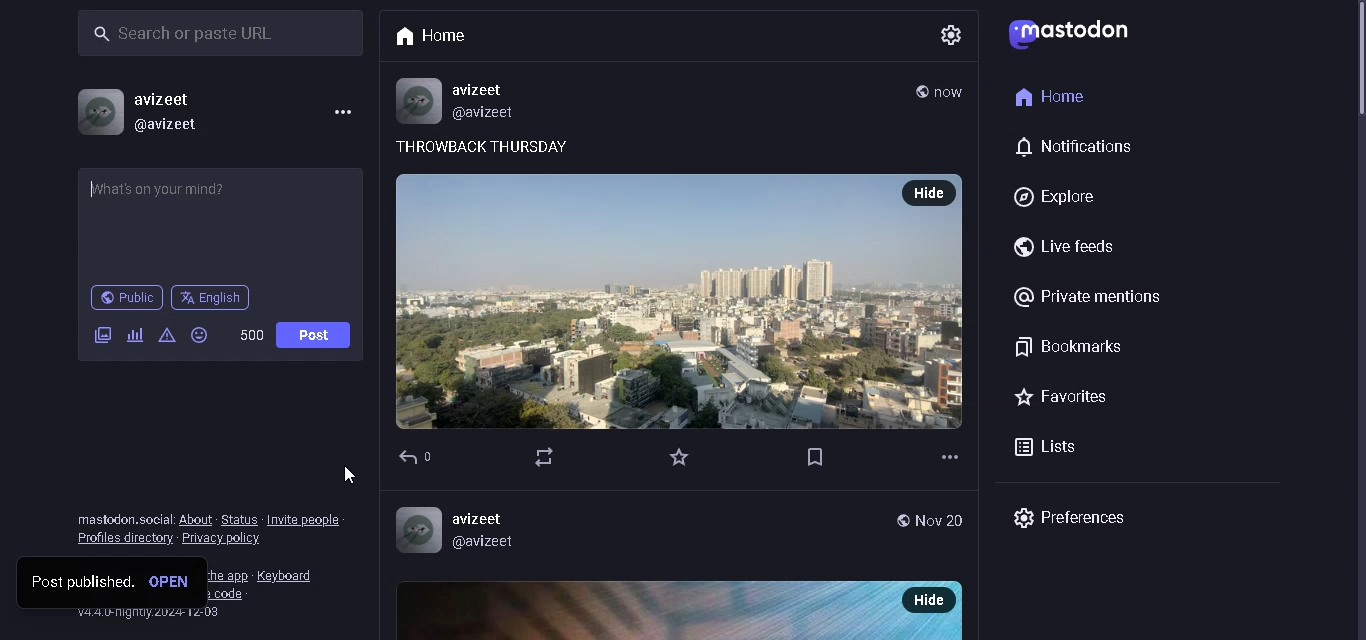 The width and height of the screenshot is (1366, 640). Describe the element at coordinates (127, 298) in the screenshot. I see `public` at that location.